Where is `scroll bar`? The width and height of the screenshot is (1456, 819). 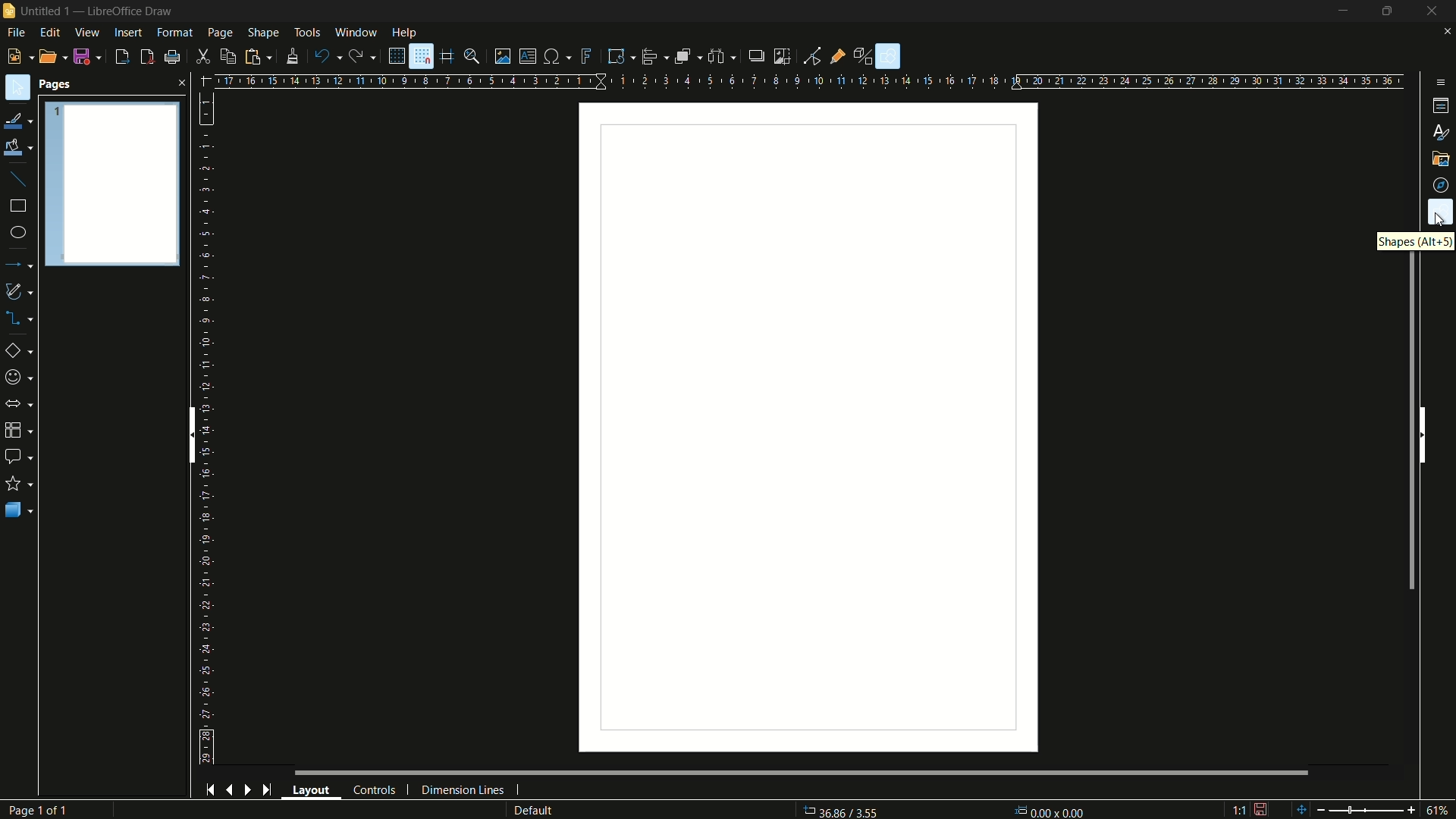 scroll bar is located at coordinates (190, 435).